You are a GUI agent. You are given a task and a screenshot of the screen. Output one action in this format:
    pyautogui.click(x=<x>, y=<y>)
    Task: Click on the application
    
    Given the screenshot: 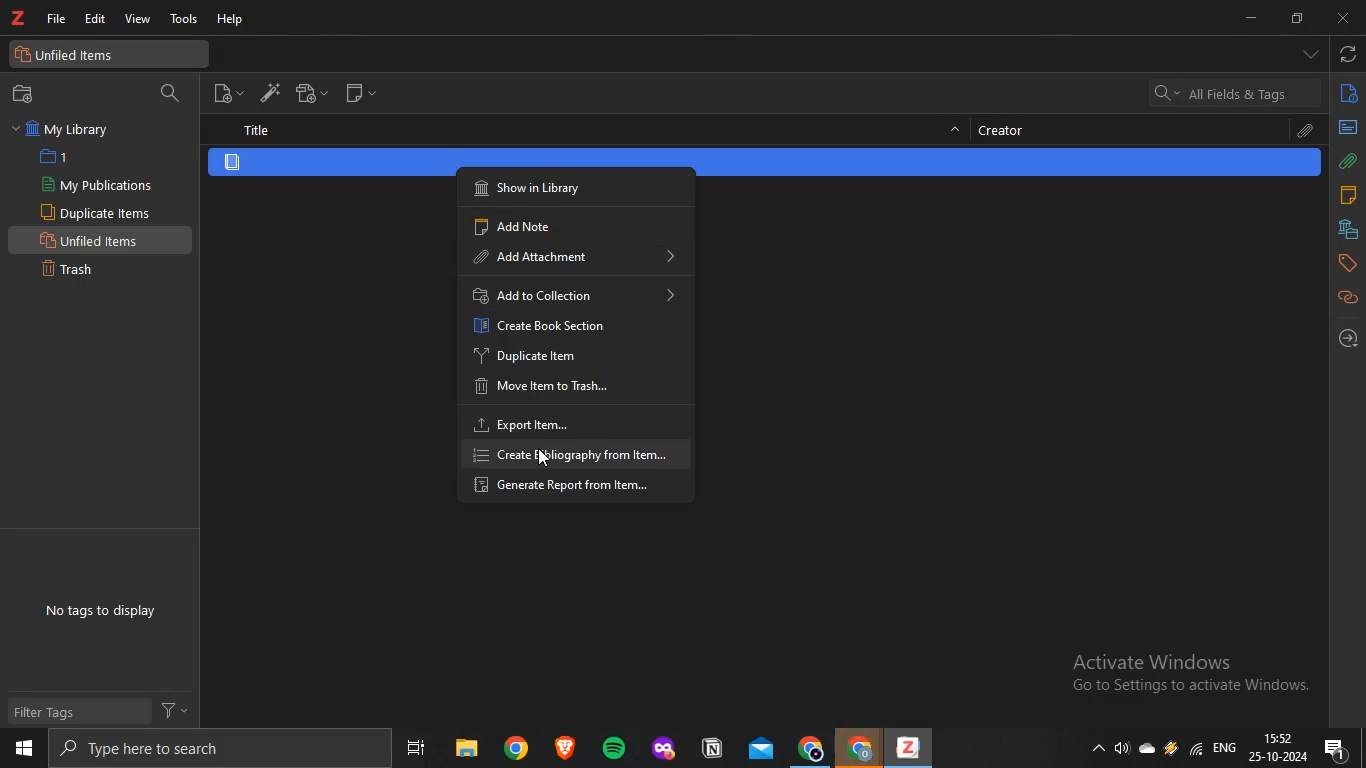 What is the action you would take?
    pyautogui.click(x=666, y=749)
    